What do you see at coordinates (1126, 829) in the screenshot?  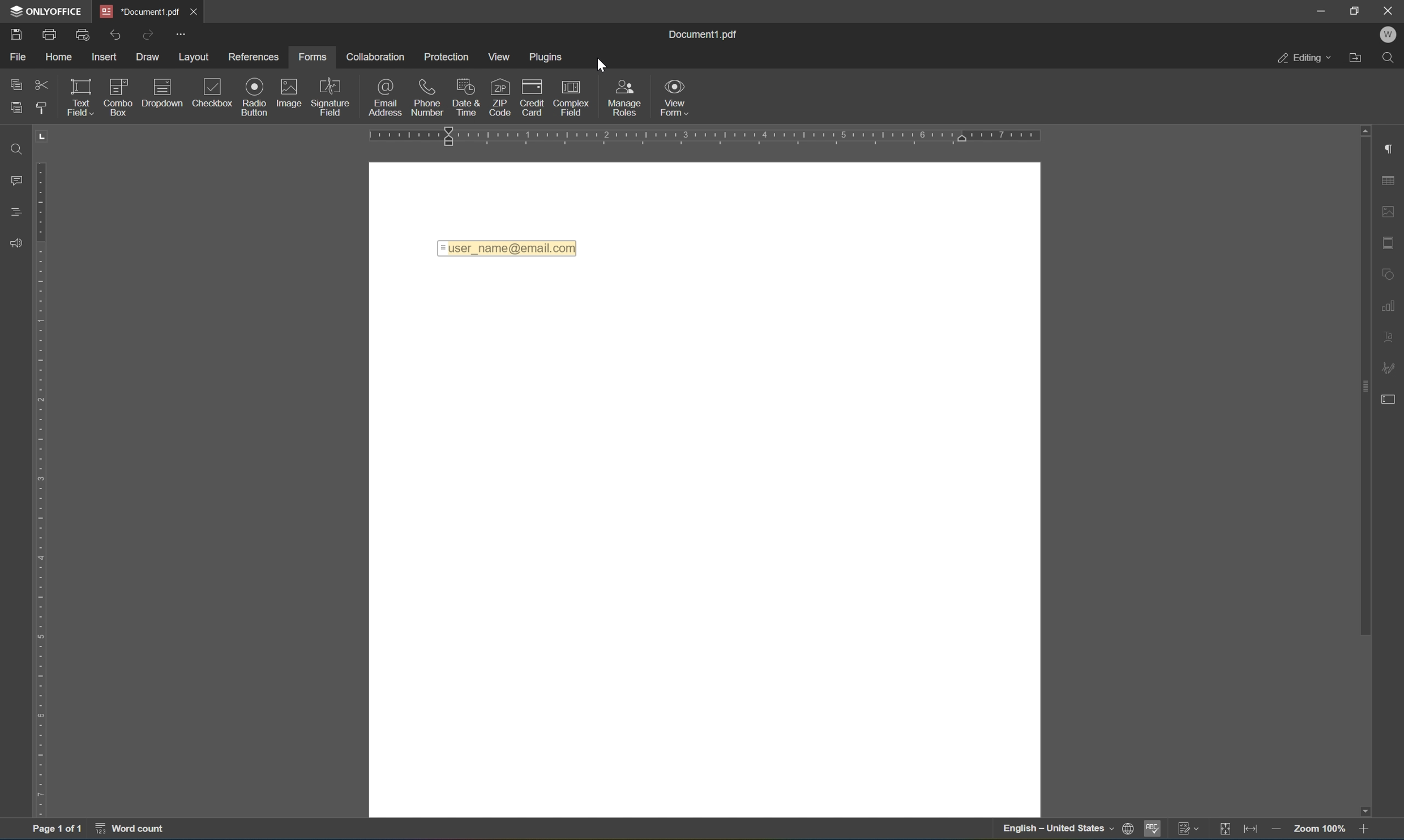 I see `web` at bounding box center [1126, 829].